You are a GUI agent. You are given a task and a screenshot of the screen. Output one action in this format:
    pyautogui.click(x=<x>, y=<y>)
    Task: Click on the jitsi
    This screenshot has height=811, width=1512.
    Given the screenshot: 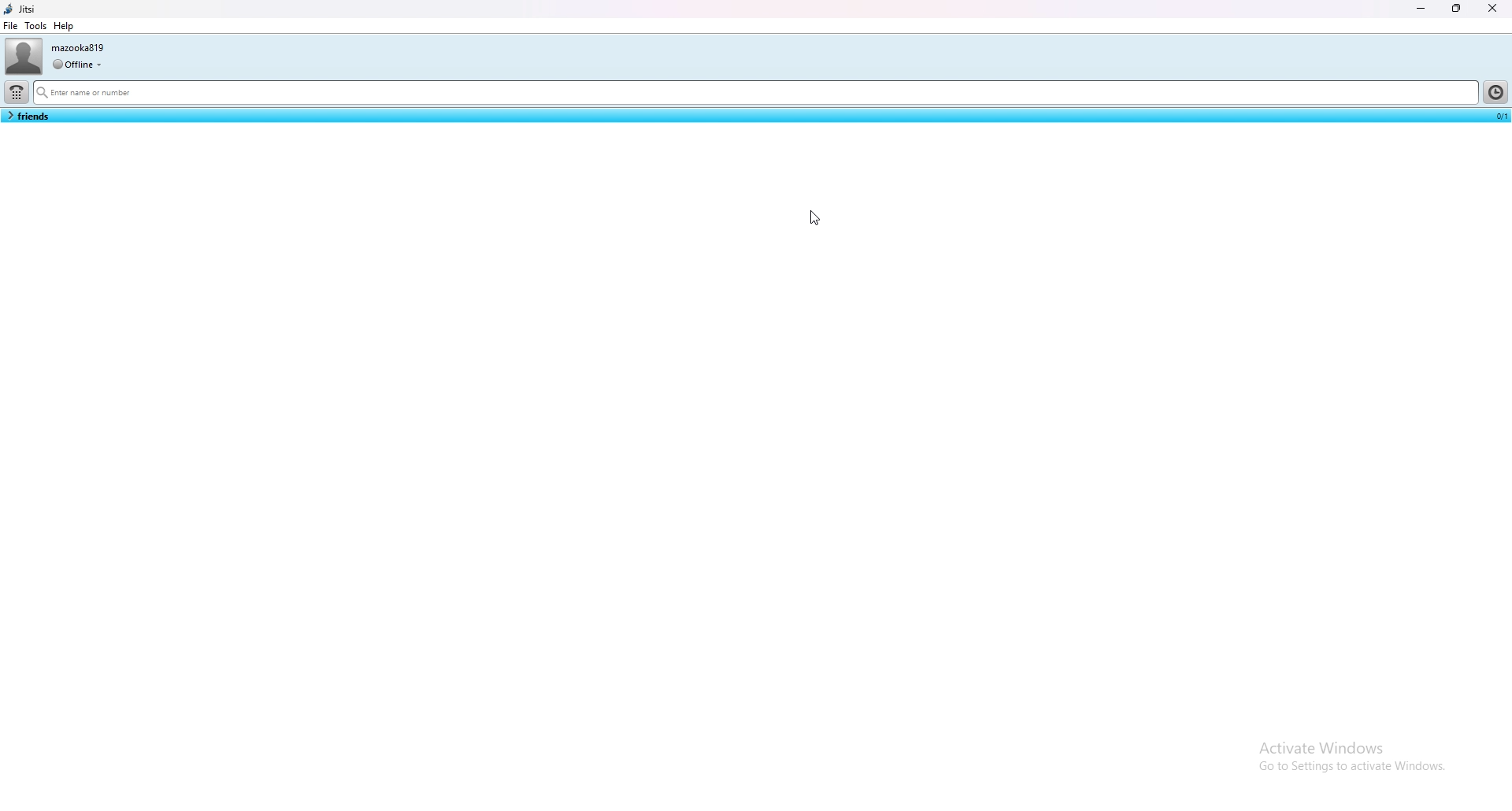 What is the action you would take?
    pyautogui.click(x=23, y=9)
    